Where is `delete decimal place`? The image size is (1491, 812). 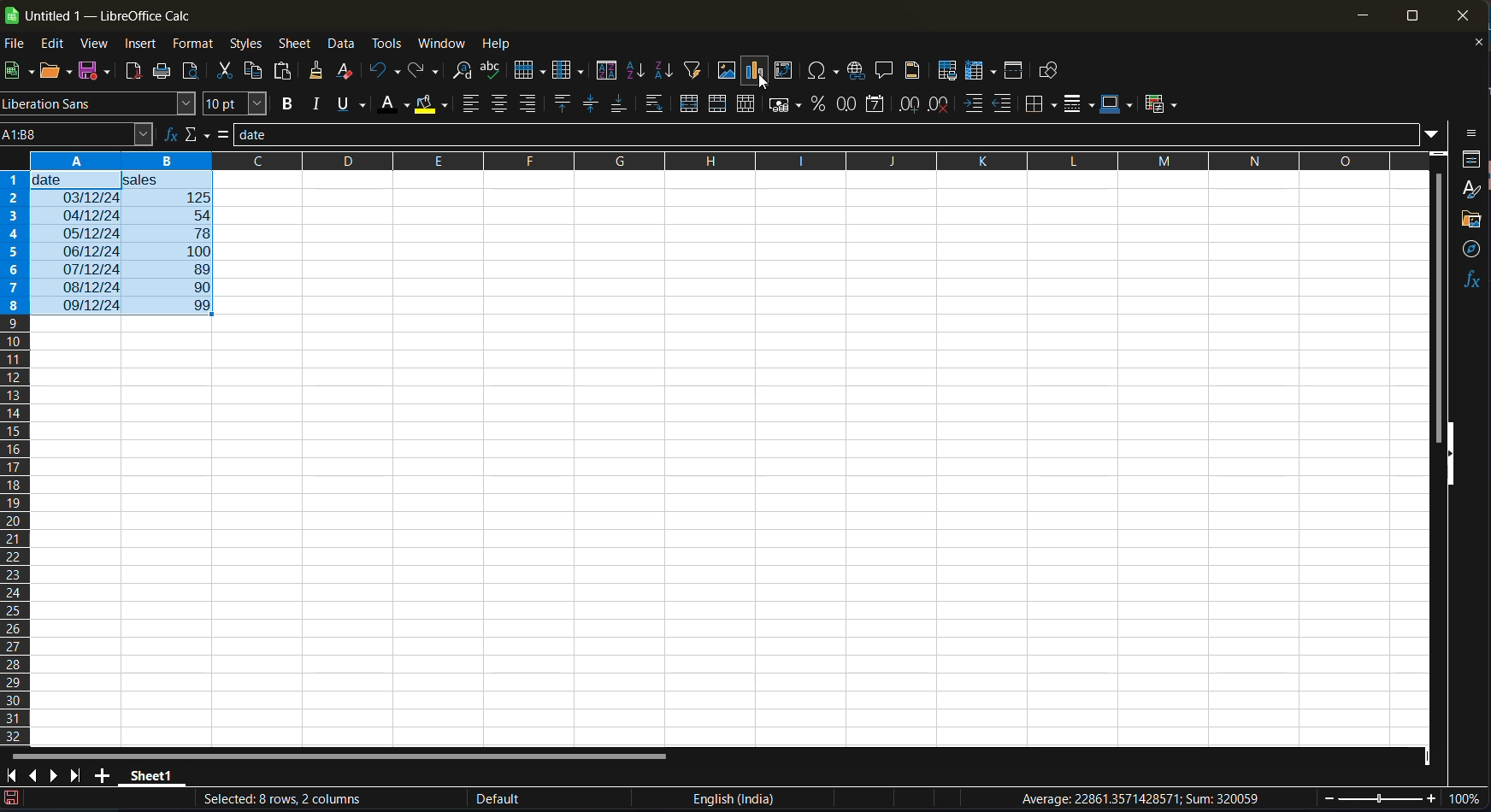
delete decimal place is located at coordinates (941, 107).